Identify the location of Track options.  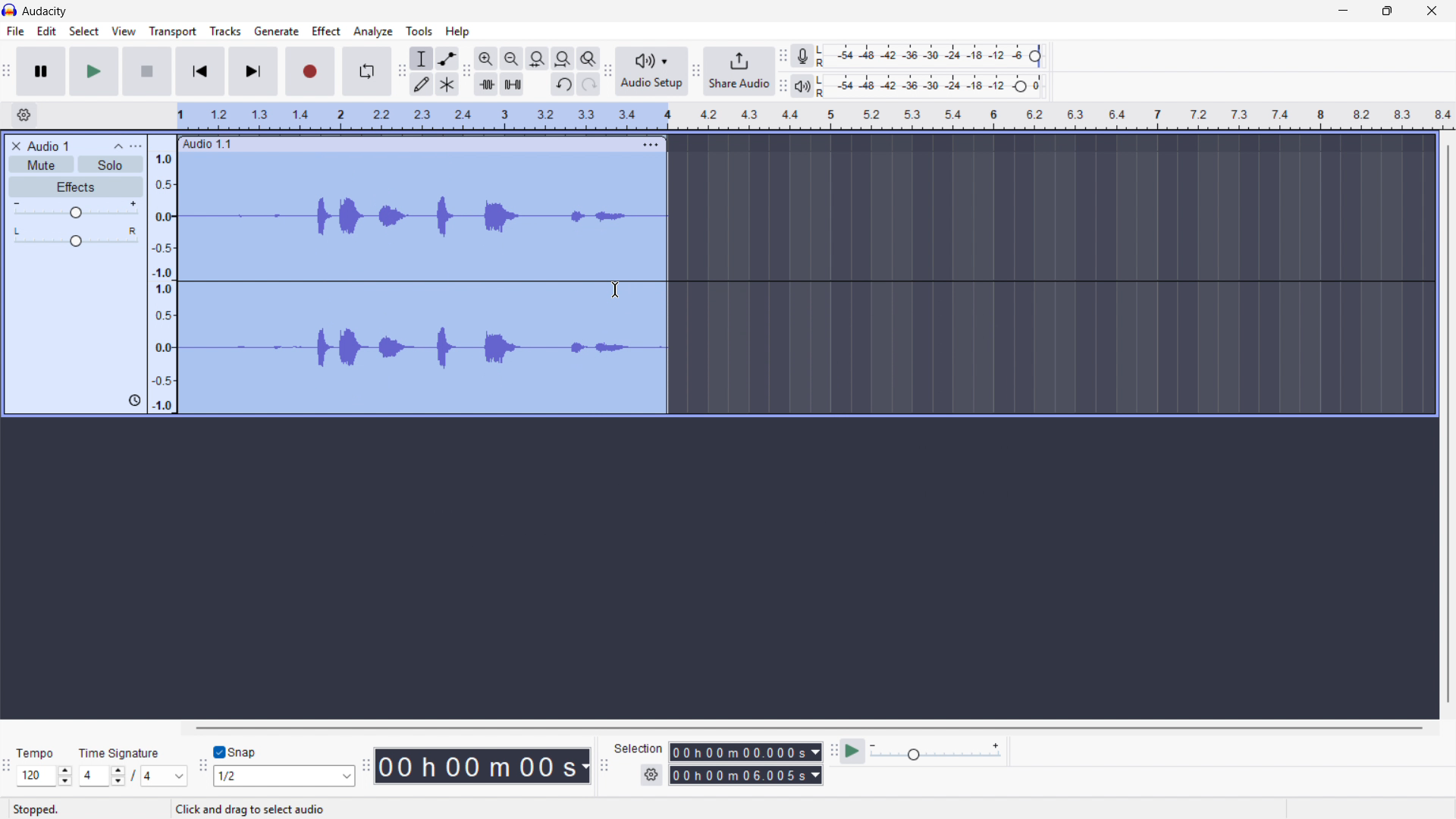
(649, 143).